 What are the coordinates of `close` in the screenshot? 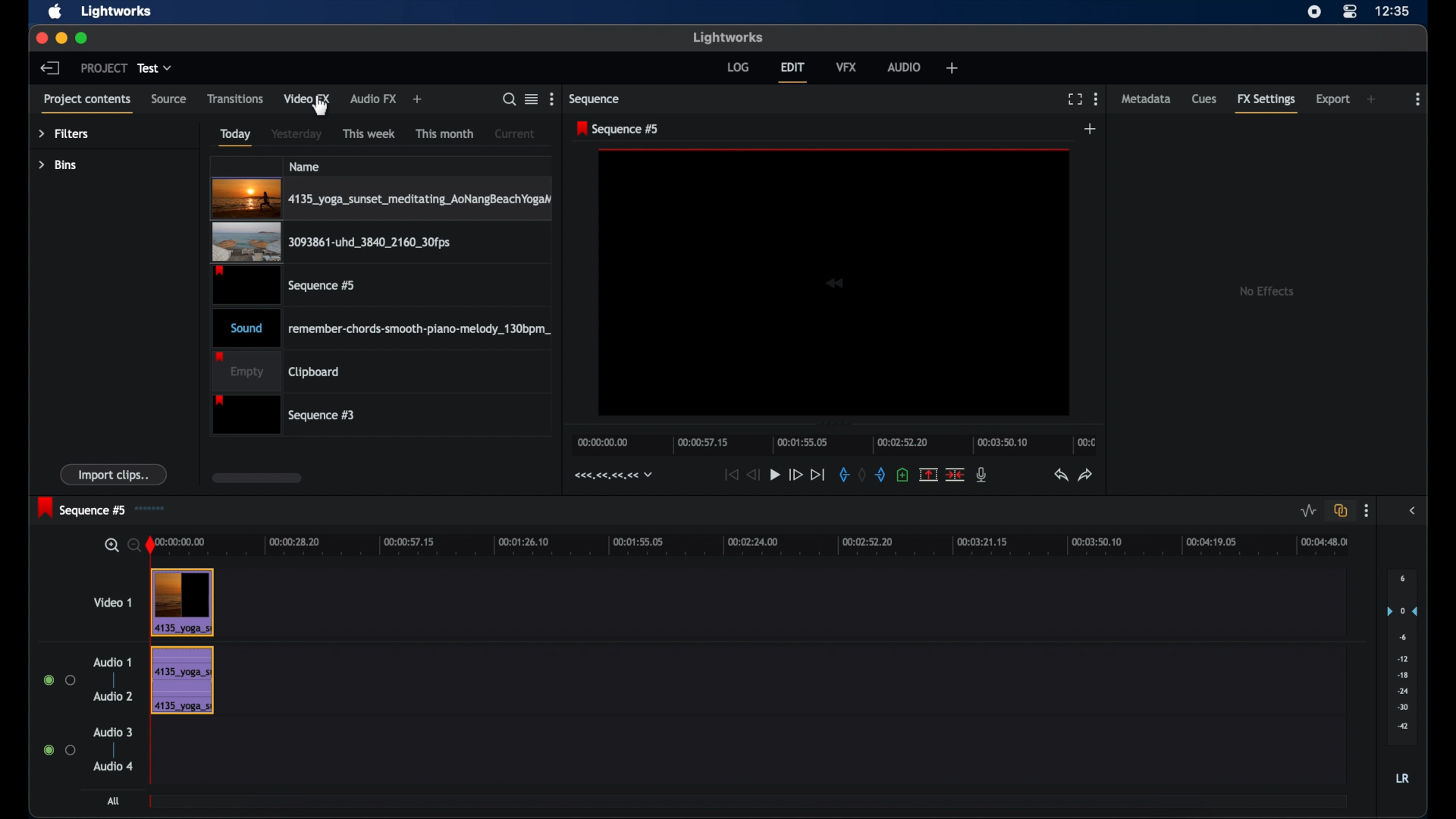 It's located at (40, 37).